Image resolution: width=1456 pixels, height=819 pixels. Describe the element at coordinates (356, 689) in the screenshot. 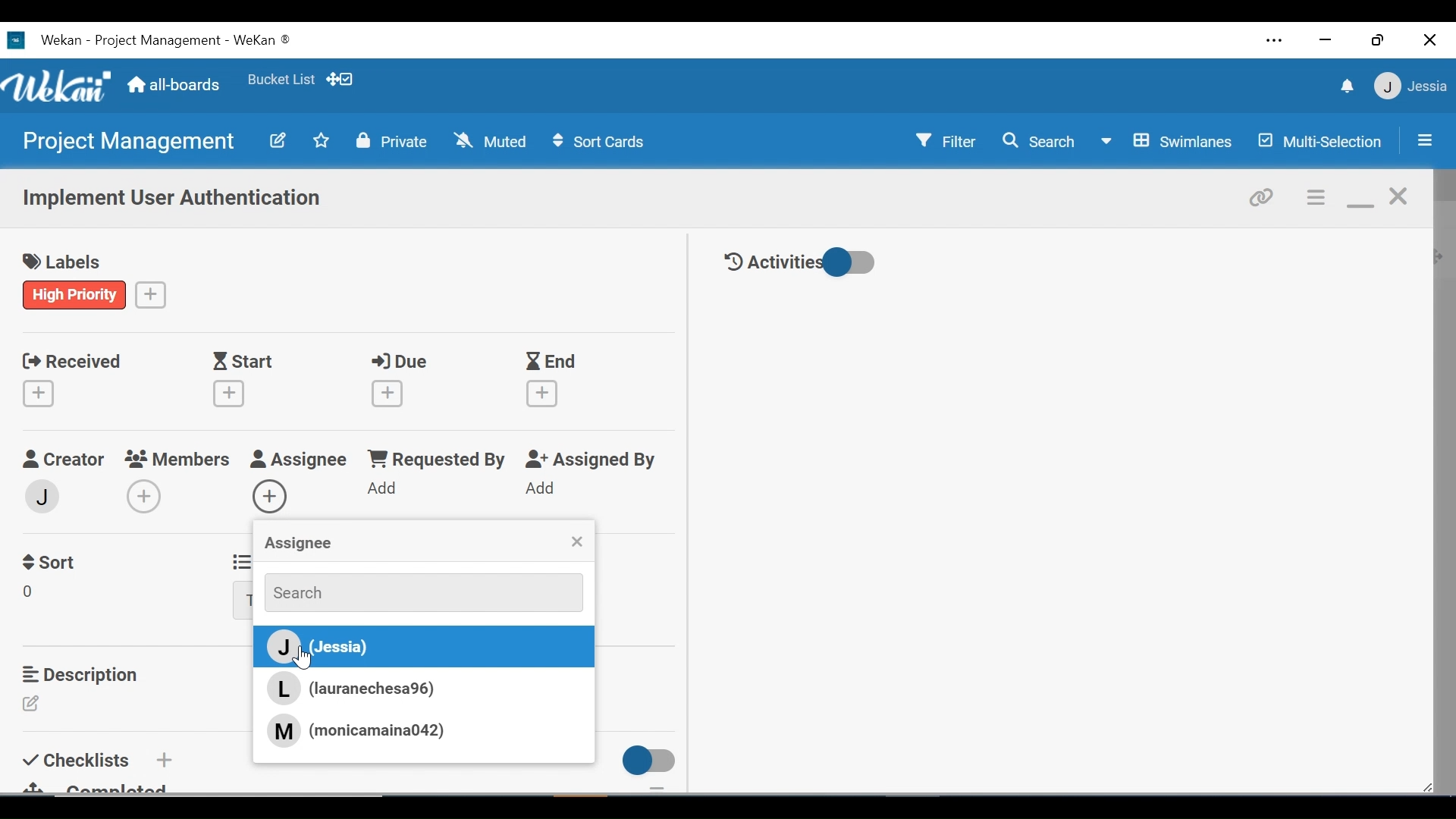

I see `(lauranechesa96)` at that location.